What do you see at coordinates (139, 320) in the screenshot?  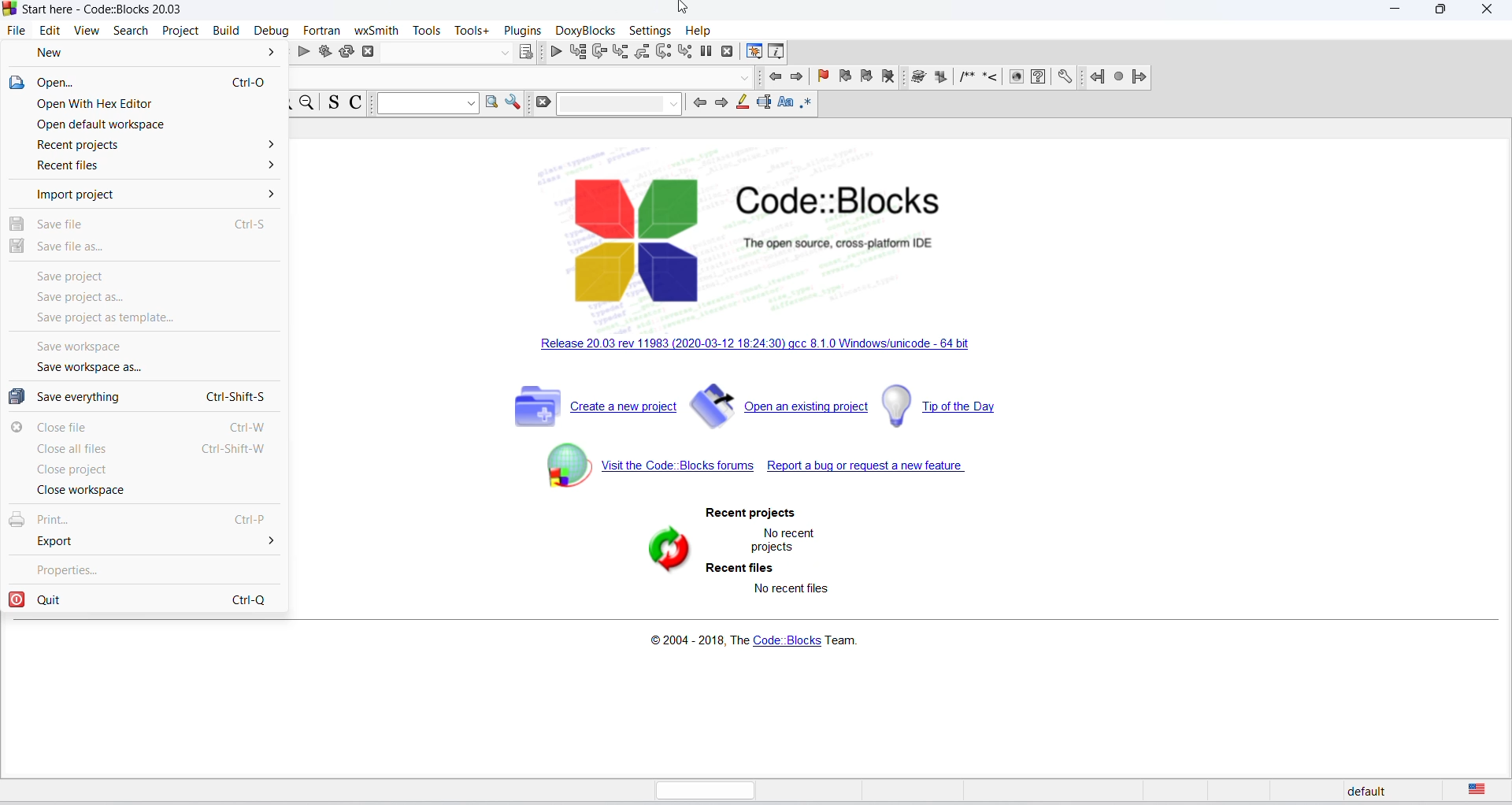 I see `save project as template` at bounding box center [139, 320].